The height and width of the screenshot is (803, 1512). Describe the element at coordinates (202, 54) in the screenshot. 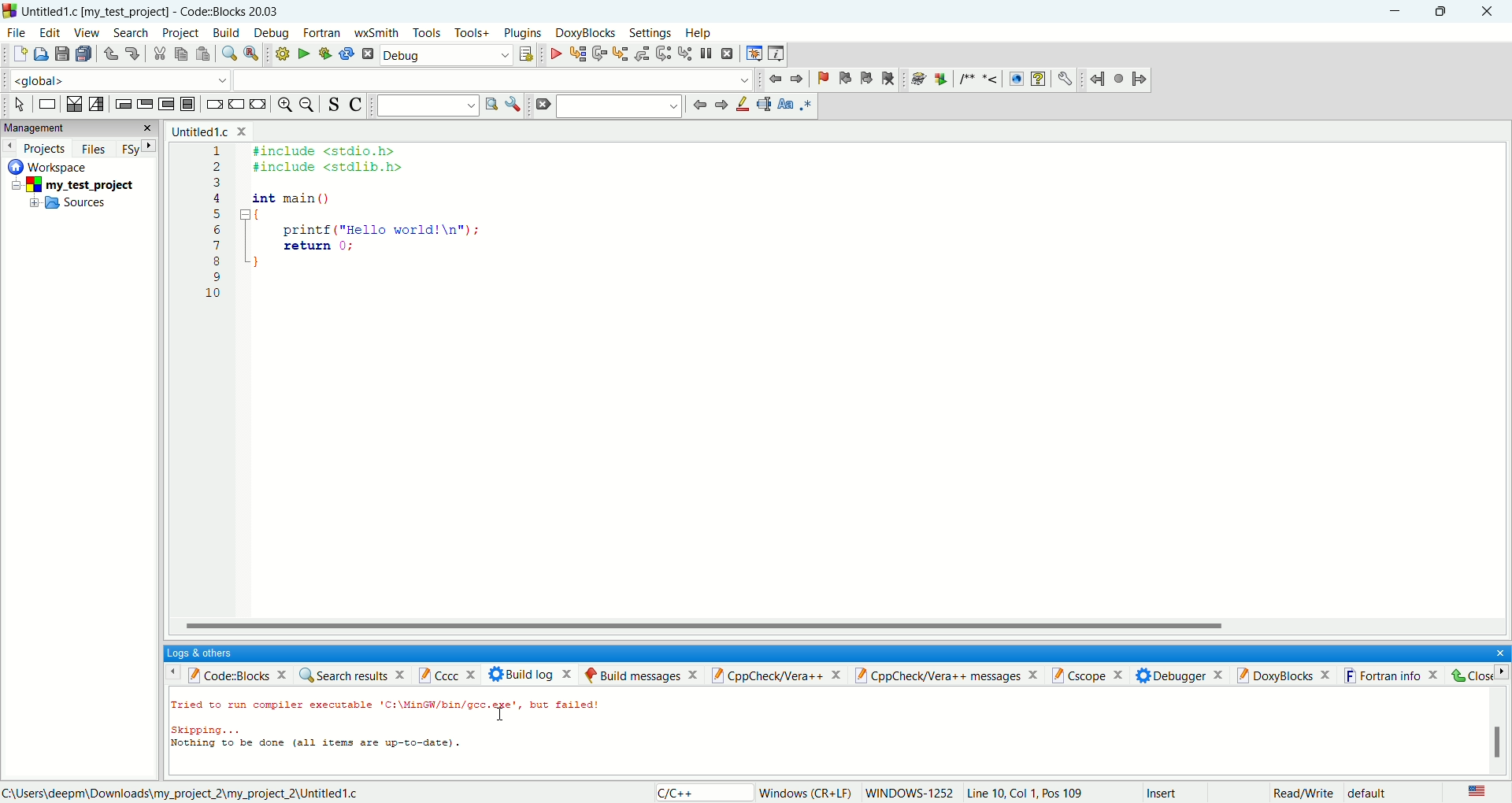

I see `paste` at that location.